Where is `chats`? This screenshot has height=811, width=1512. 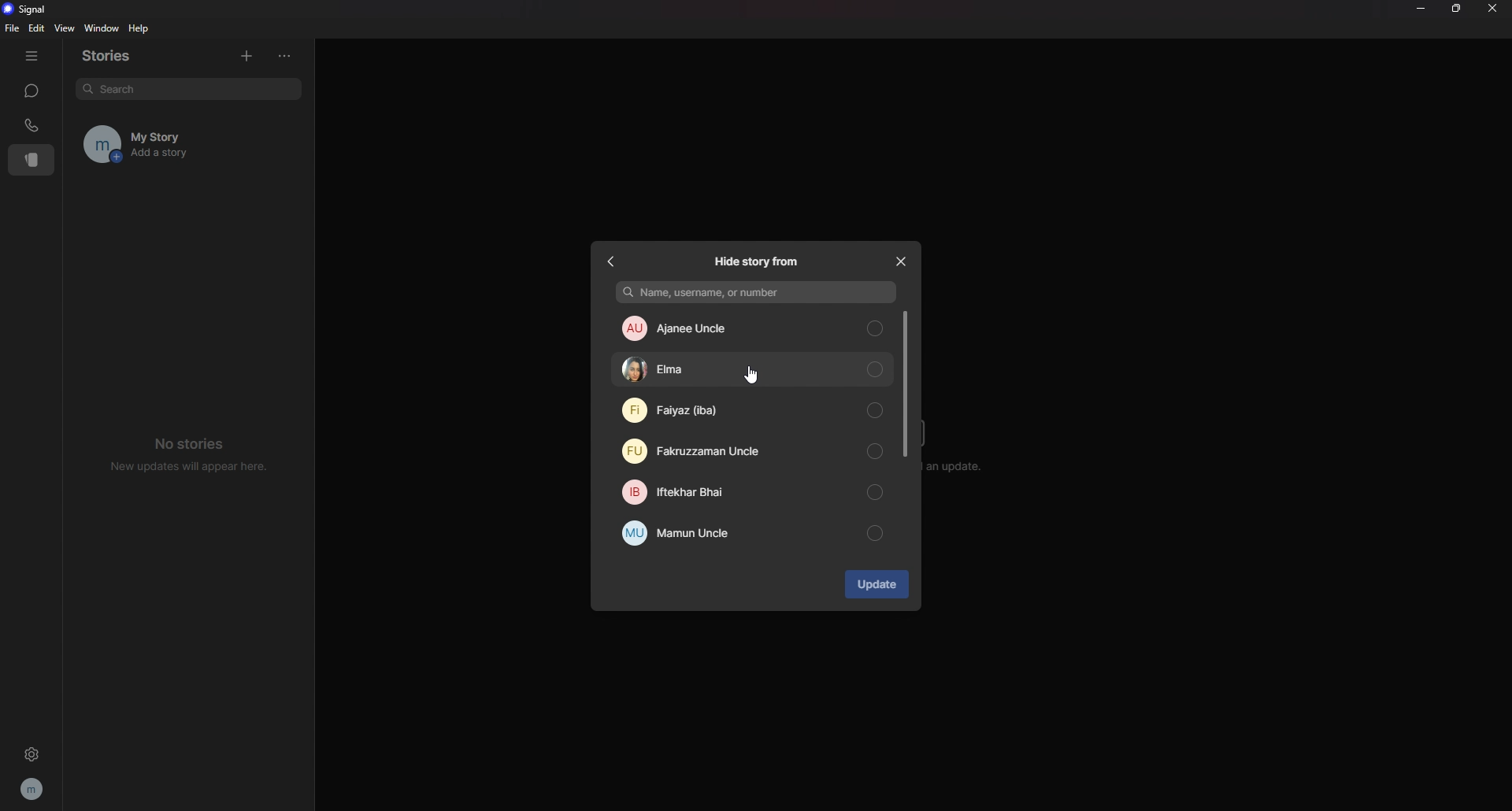
chats is located at coordinates (31, 91).